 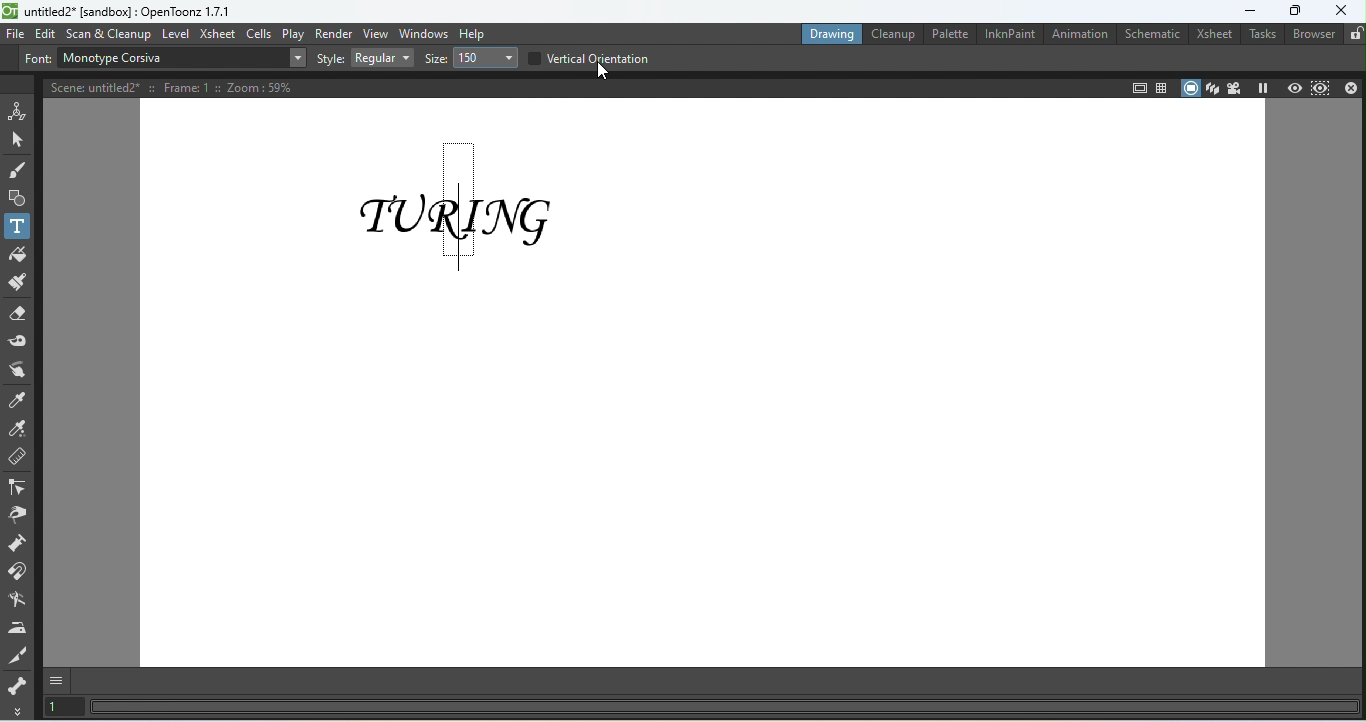 What do you see at coordinates (290, 34) in the screenshot?
I see `Play` at bounding box center [290, 34].